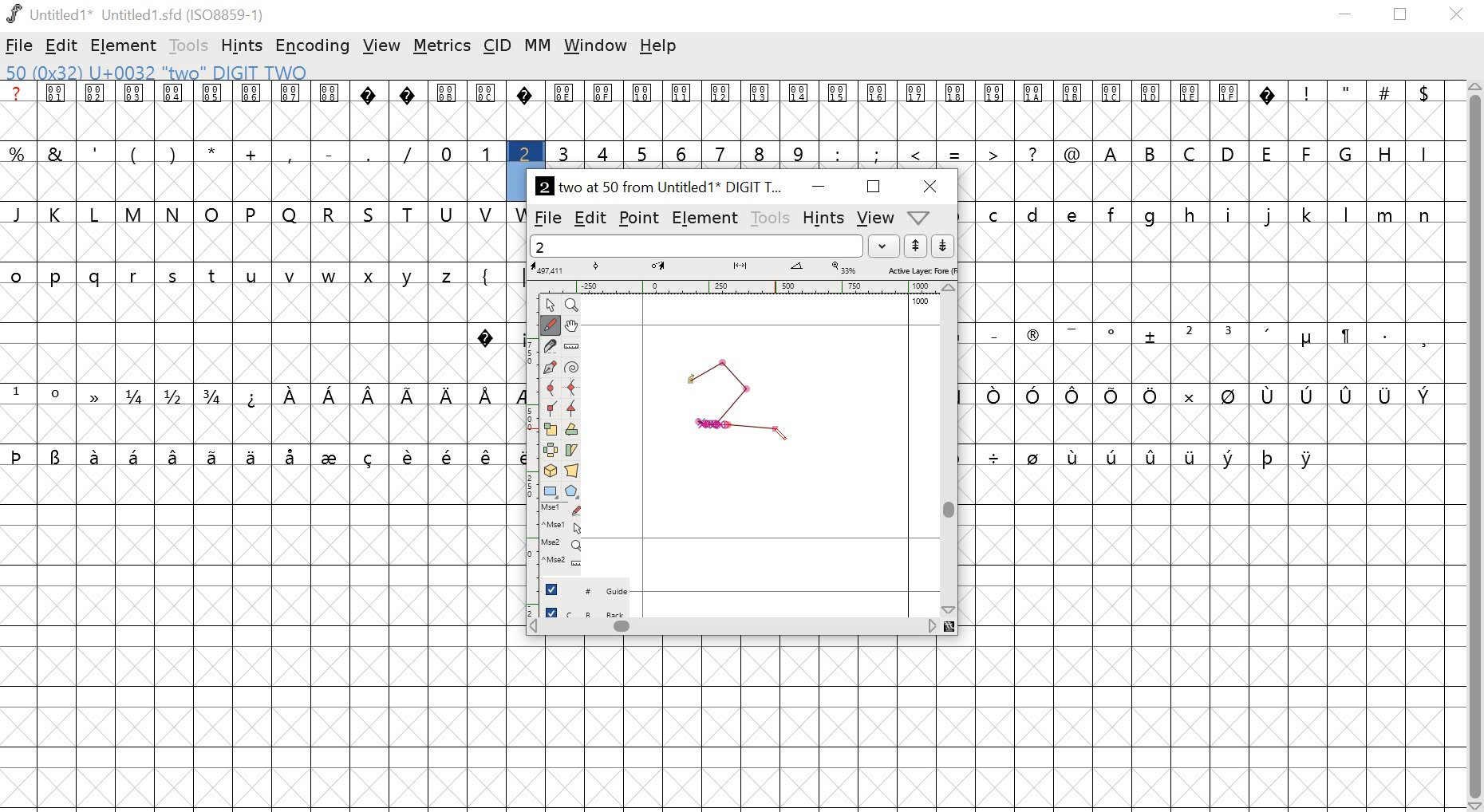  I want to click on curve, so click(552, 388).